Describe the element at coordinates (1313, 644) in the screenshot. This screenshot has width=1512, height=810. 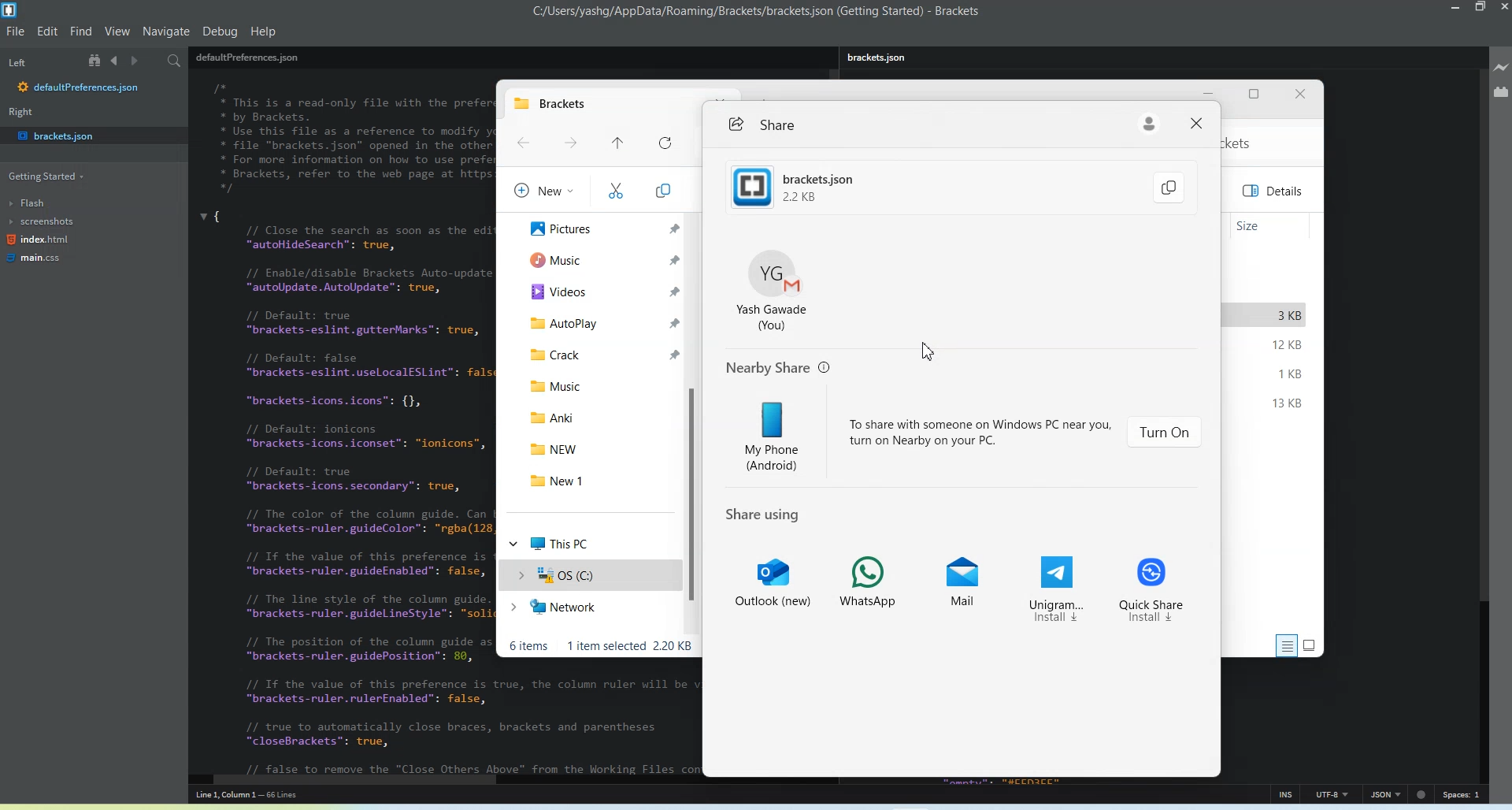
I see `Display information by large Thumbnail` at that location.